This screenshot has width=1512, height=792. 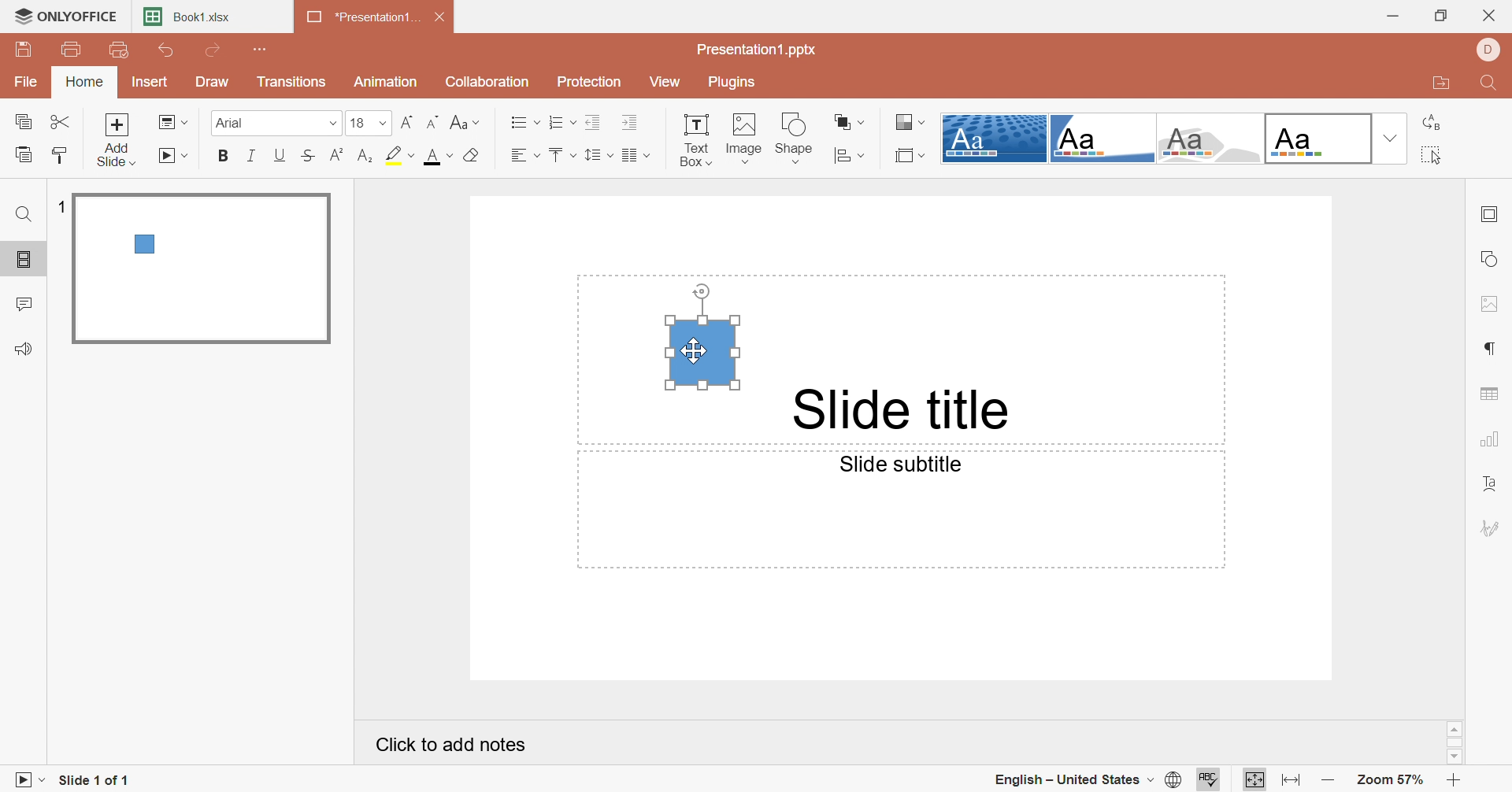 What do you see at coordinates (72, 17) in the screenshot?
I see `ONLYOFFICE` at bounding box center [72, 17].